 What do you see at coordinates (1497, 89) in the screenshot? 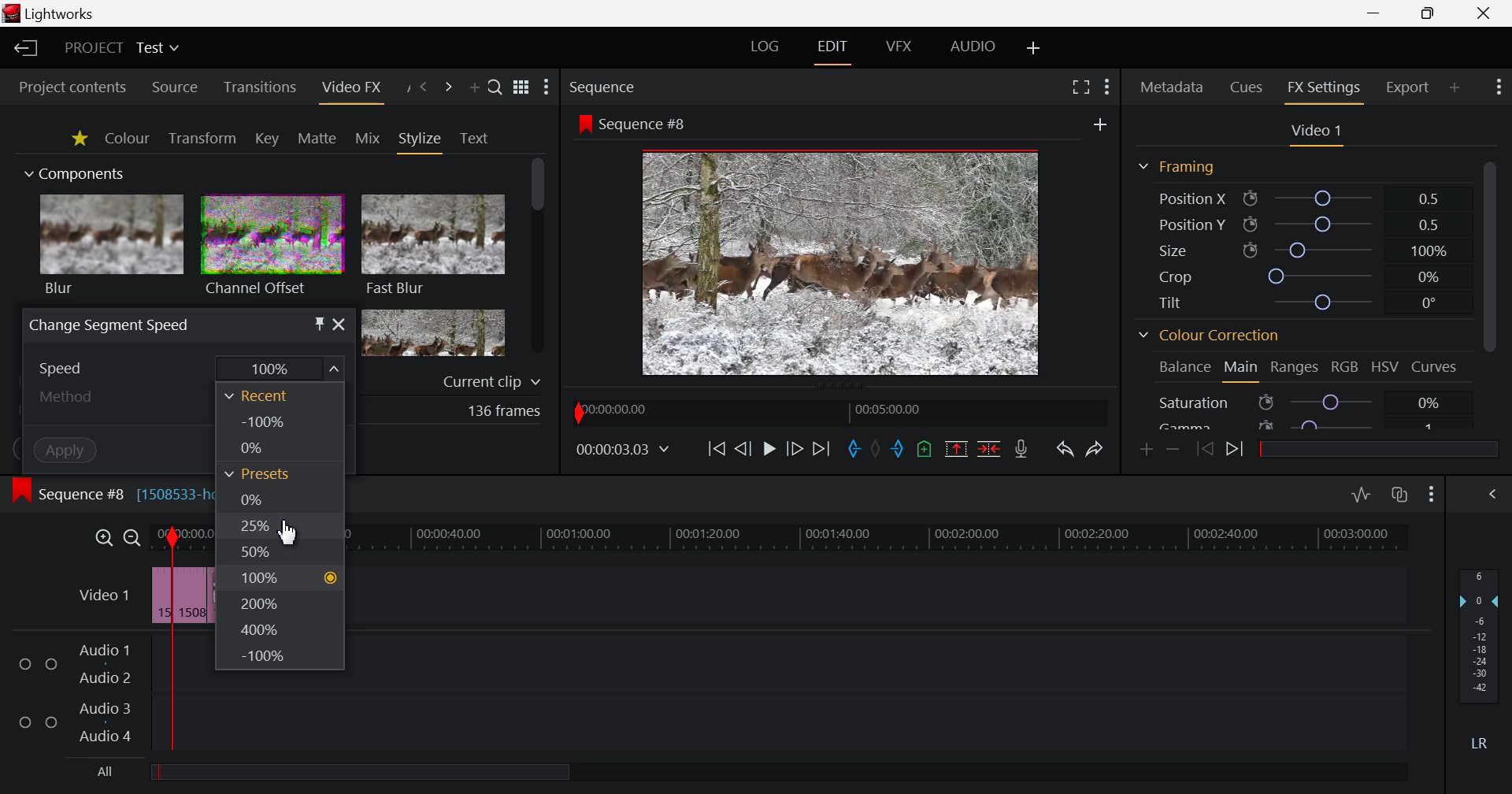
I see `Show Settings` at bounding box center [1497, 89].